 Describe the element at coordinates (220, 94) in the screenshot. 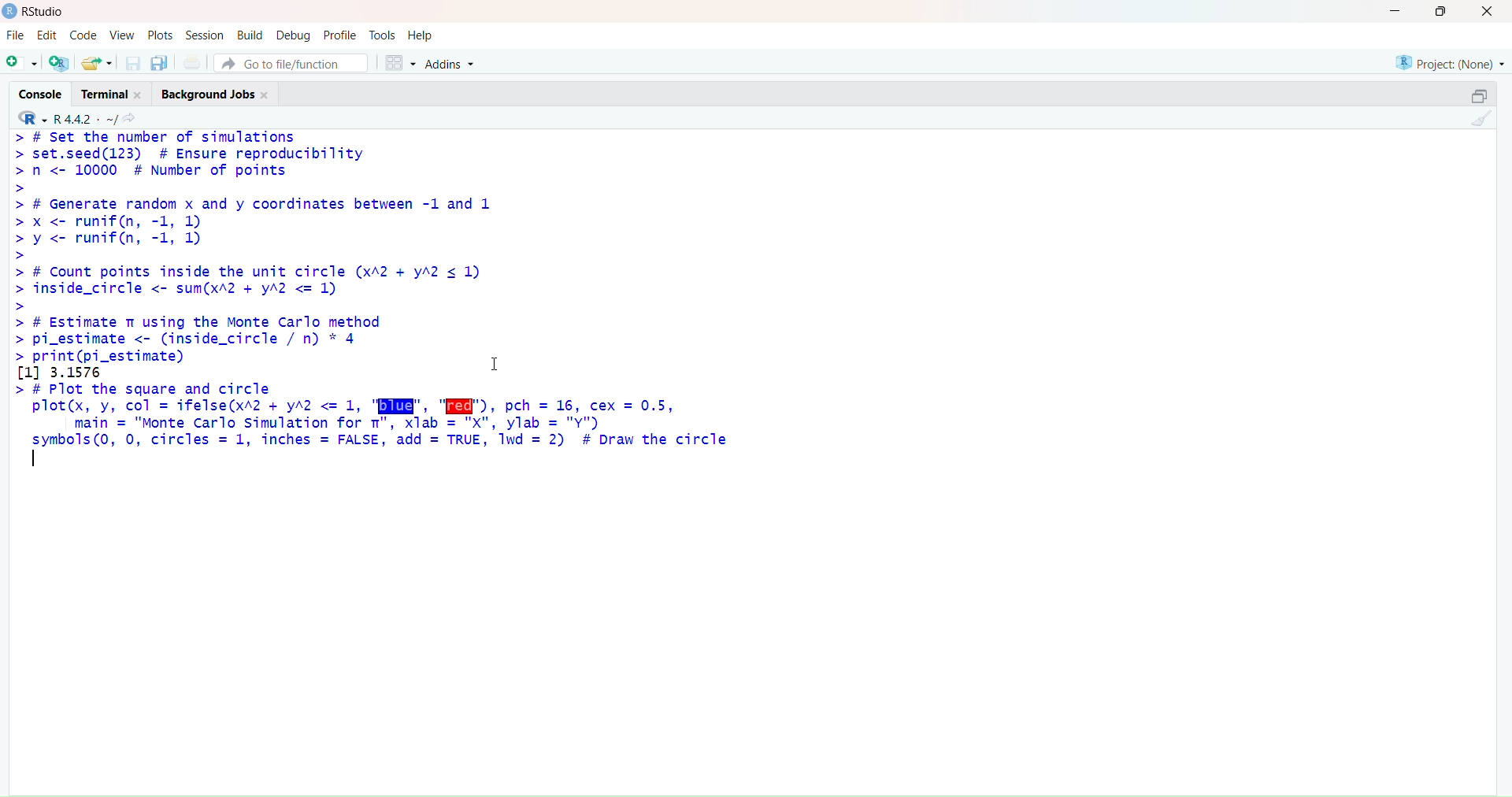

I see `Background Jobs` at that location.